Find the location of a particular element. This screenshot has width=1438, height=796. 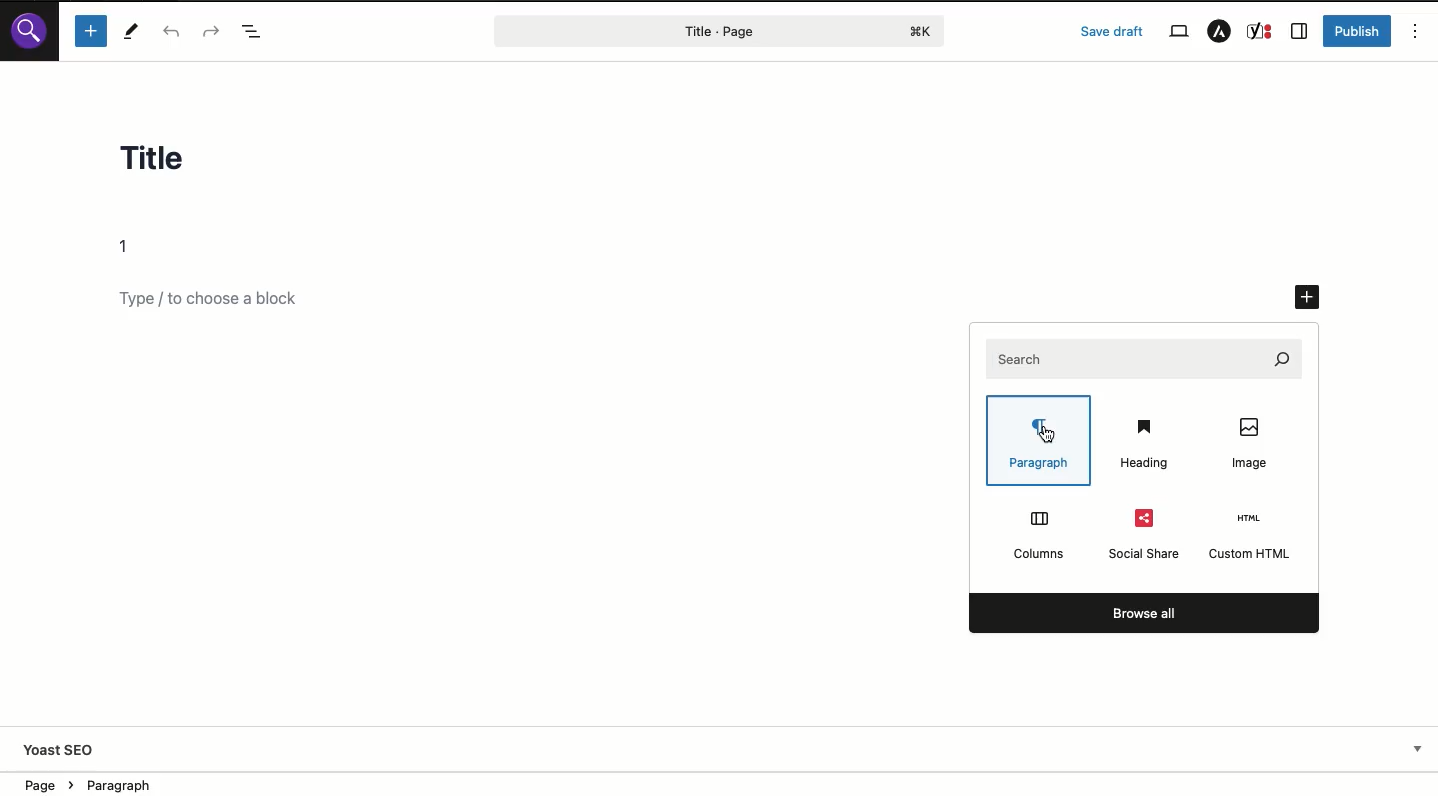

Add new block is located at coordinates (1309, 299).